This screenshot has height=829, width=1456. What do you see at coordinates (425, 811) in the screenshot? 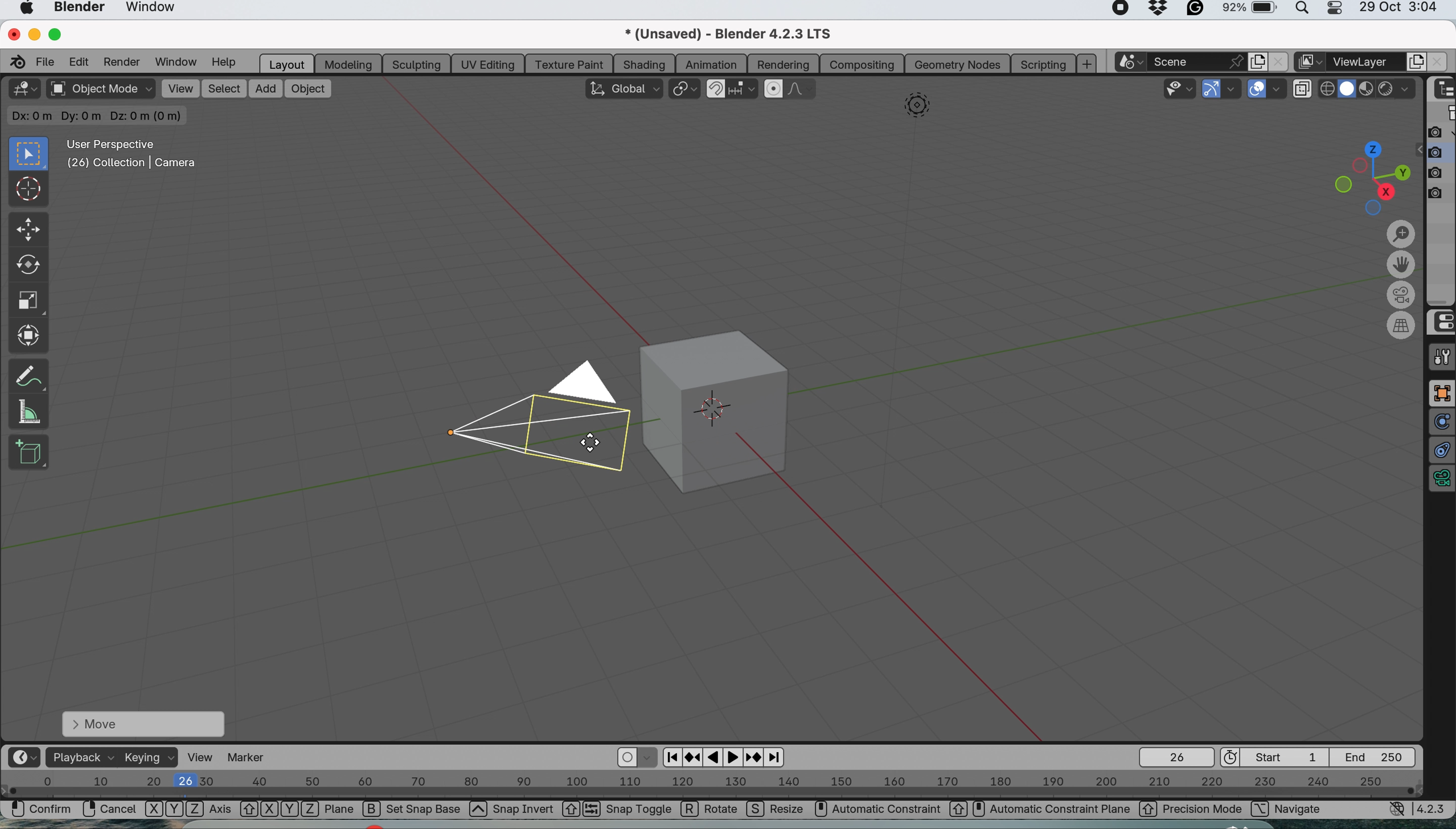
I see `Set Snap base` at bounding box center [425, 811].